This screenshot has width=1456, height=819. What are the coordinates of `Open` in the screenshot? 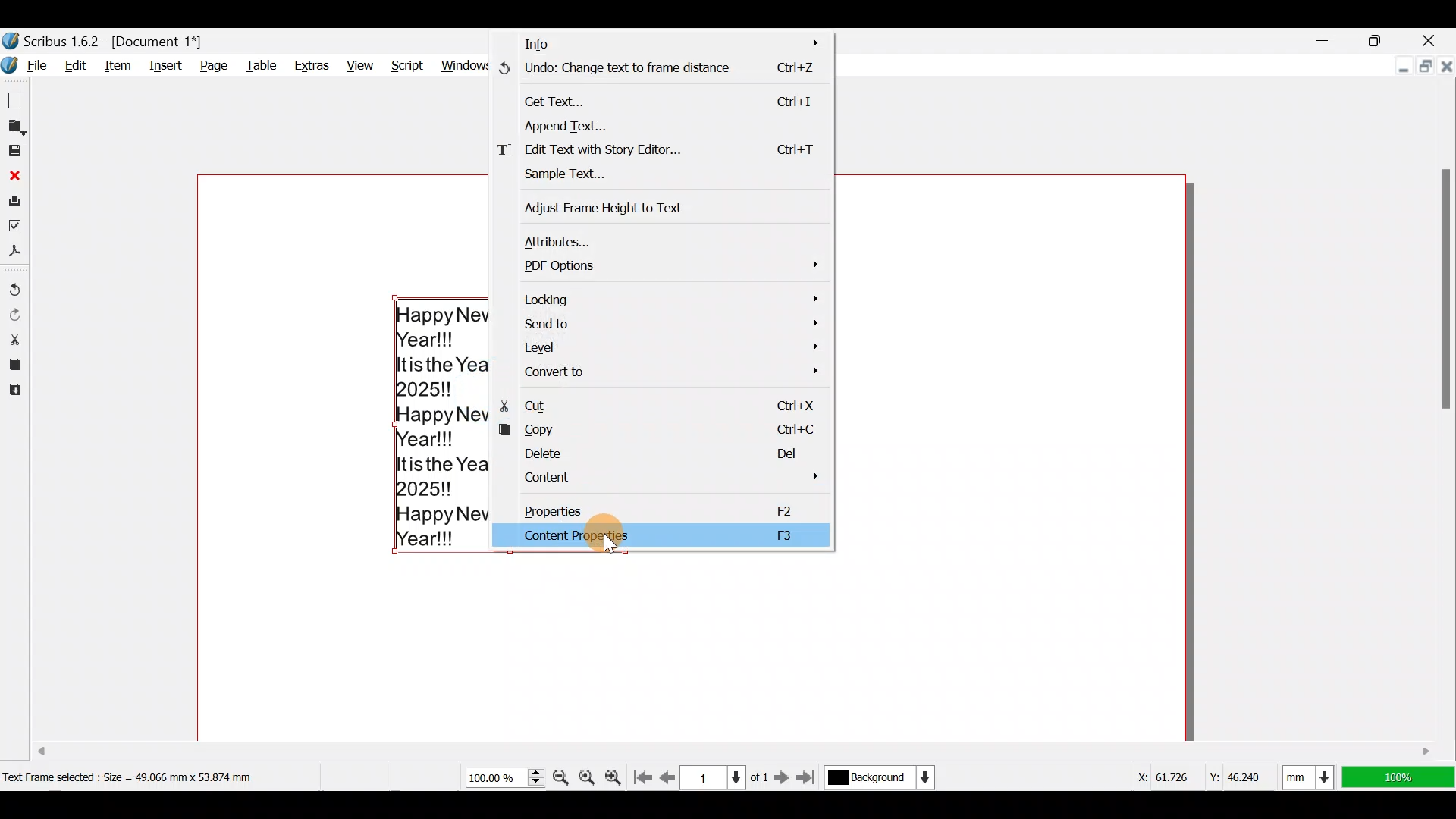 It's located at (17, 127).